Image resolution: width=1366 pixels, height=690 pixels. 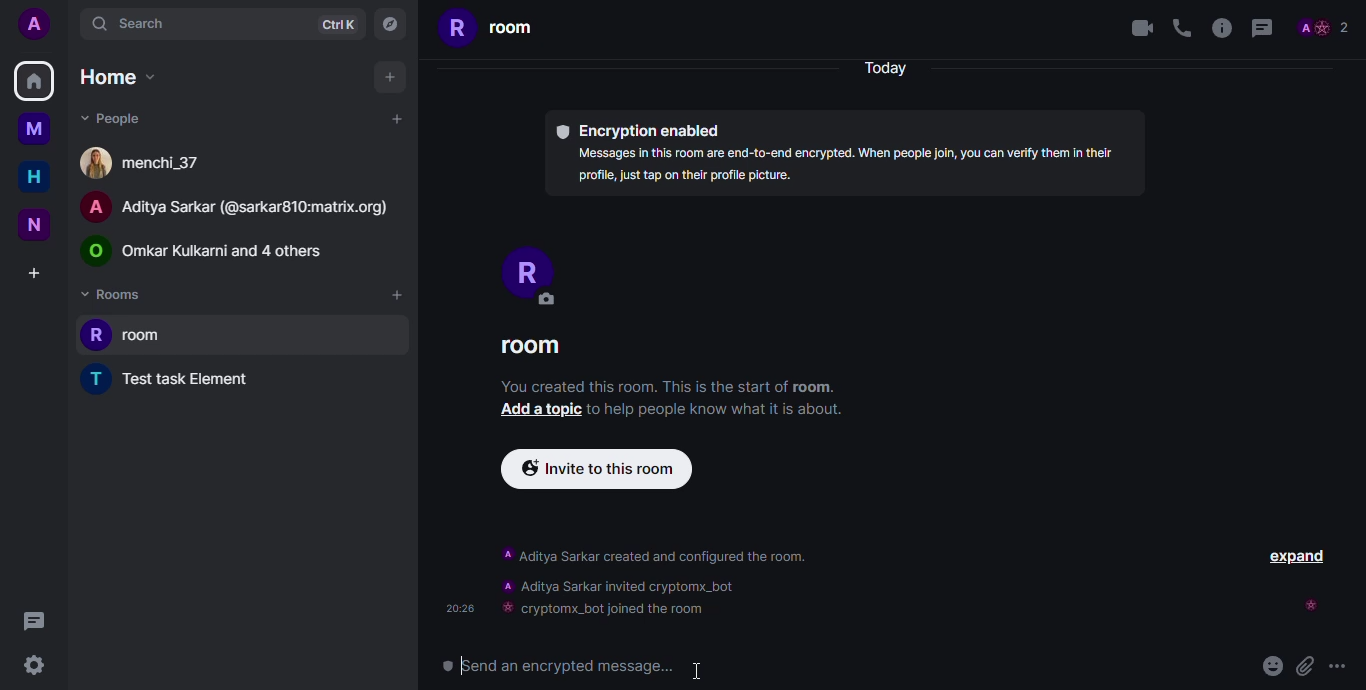 What do you see at coordinates (398, 296) in the screenshot?
I see `add` at bounding box center [398, 296].